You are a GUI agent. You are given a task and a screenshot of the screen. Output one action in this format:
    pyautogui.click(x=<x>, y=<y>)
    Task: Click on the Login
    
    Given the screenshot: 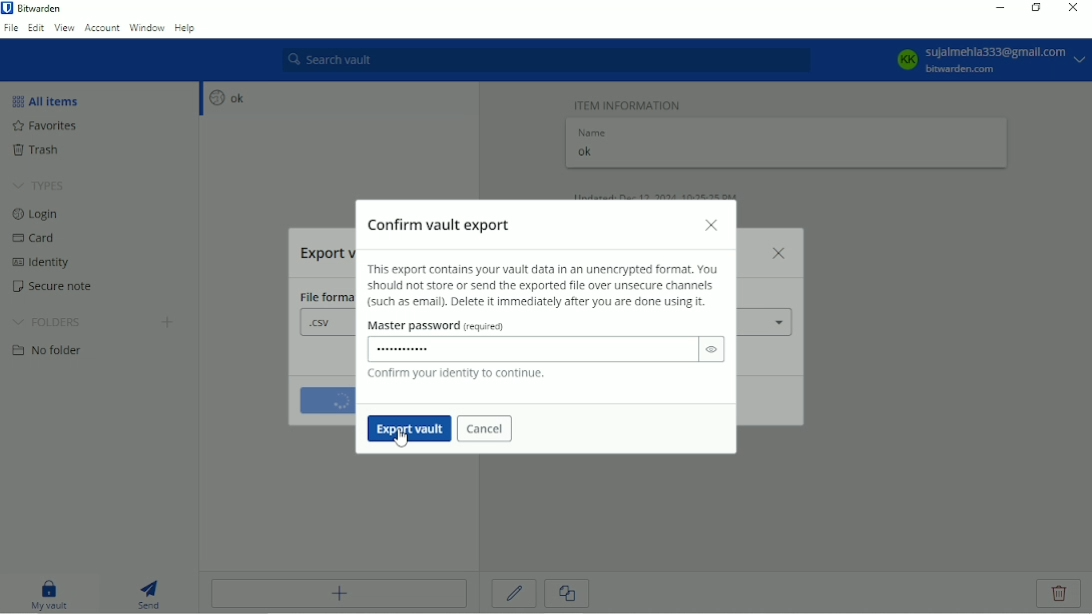 What is the action you would take?
    pyautogui.click(x=36, y=214)
    